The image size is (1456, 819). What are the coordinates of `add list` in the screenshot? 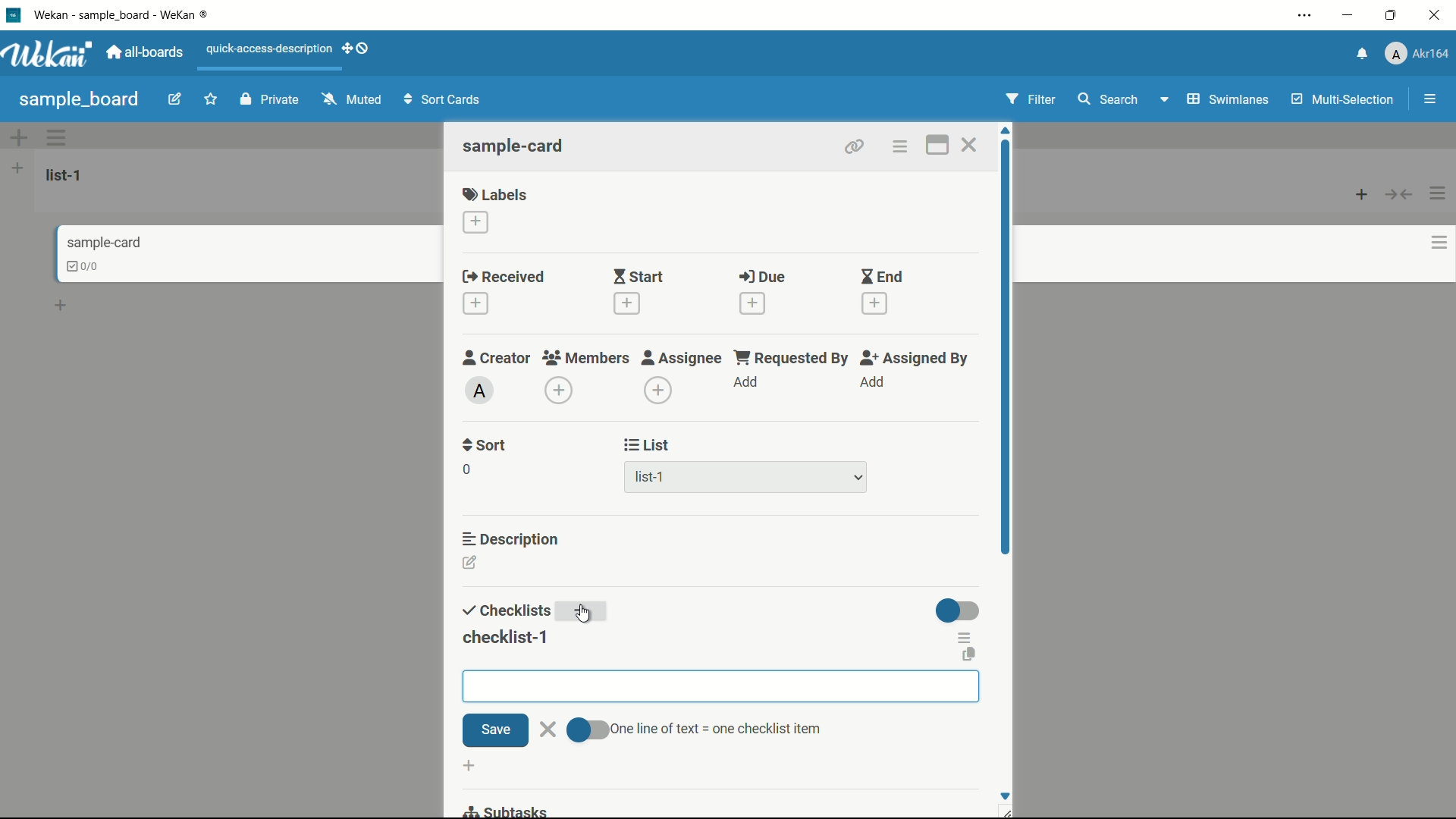 It's located at (17, 168).